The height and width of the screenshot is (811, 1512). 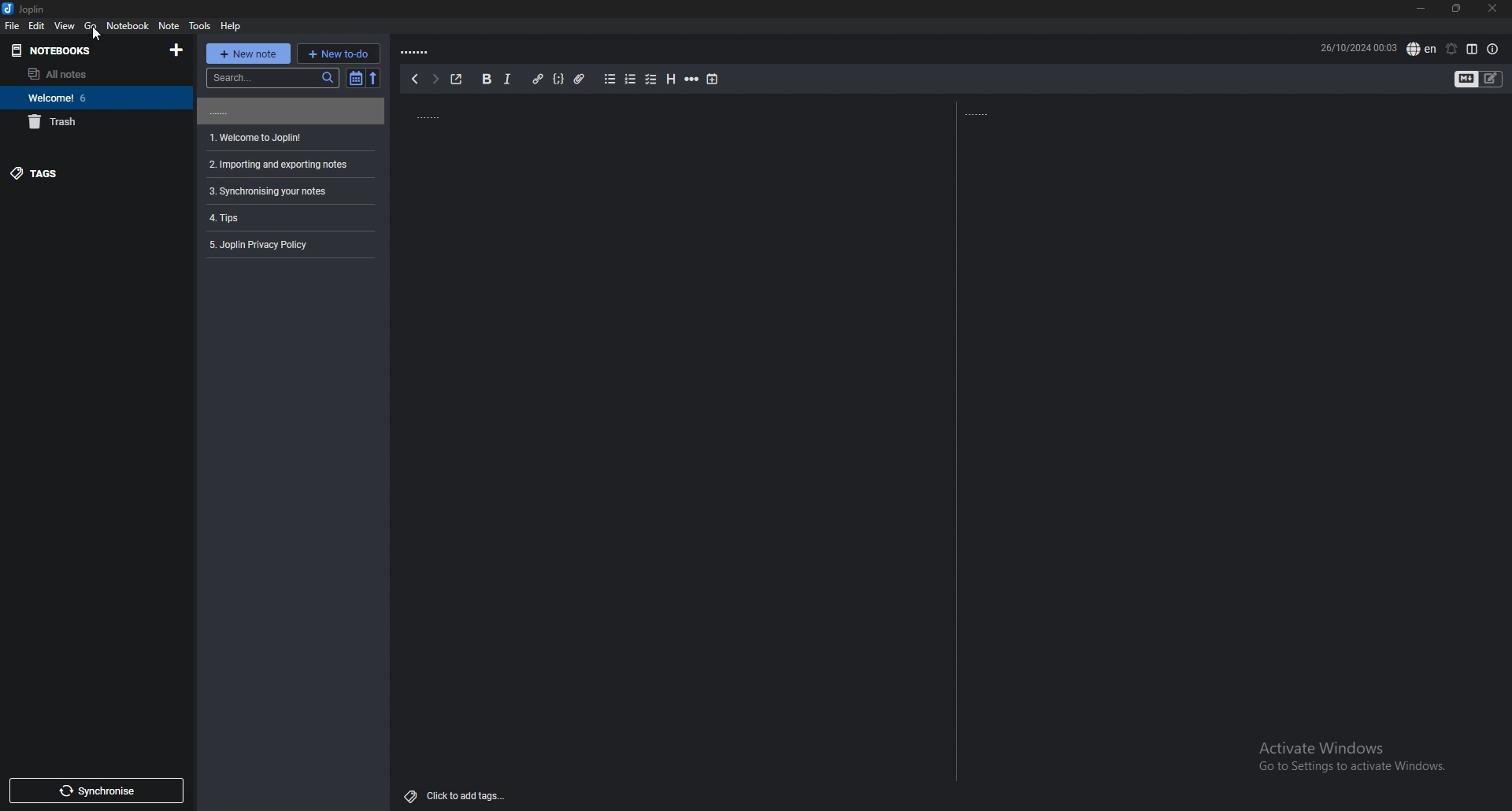 I want to click on checkbox, so click(x=650, y=80).